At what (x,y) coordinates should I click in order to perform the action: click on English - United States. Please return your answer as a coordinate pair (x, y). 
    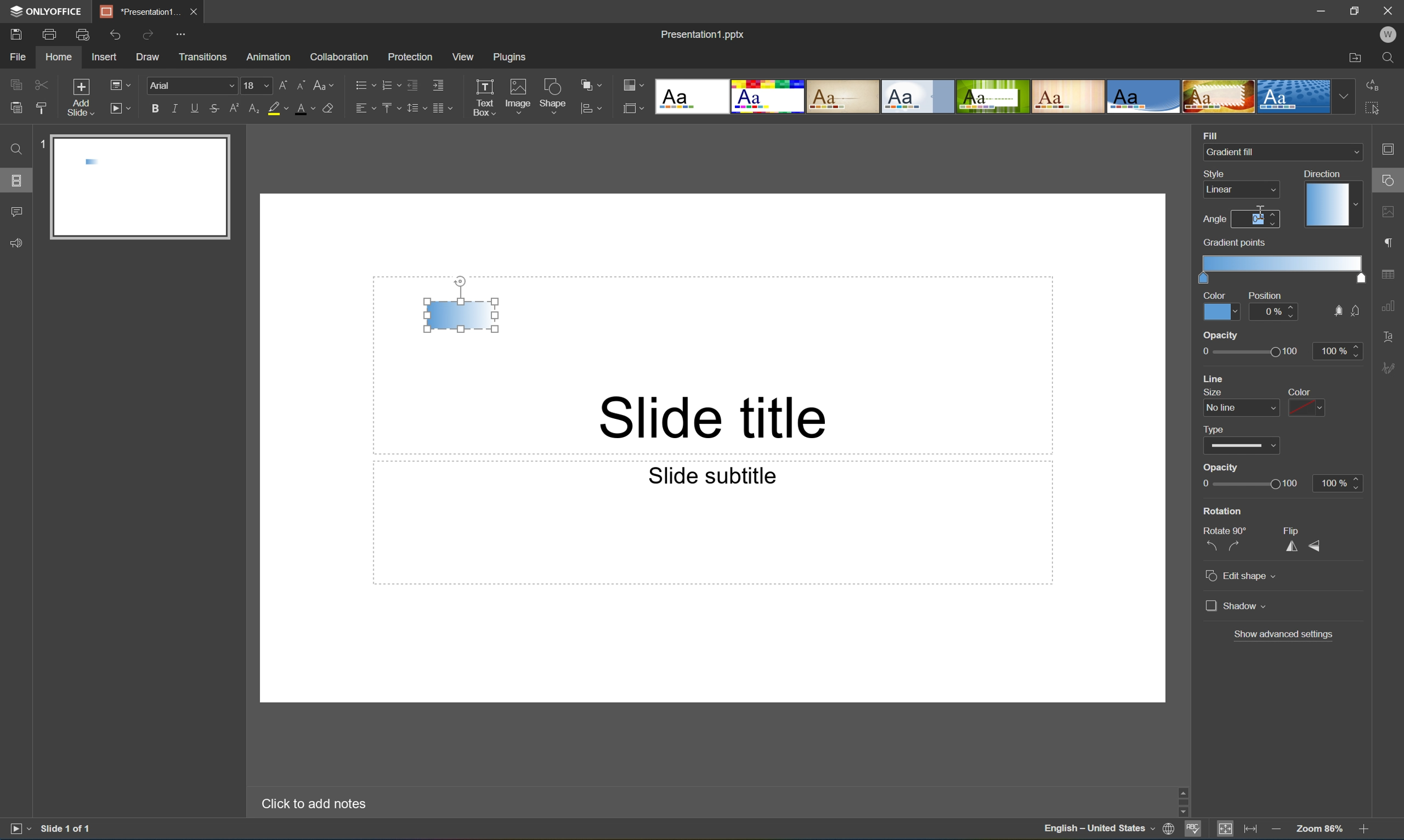
    Looking at the image, I should click on (1099, 830).